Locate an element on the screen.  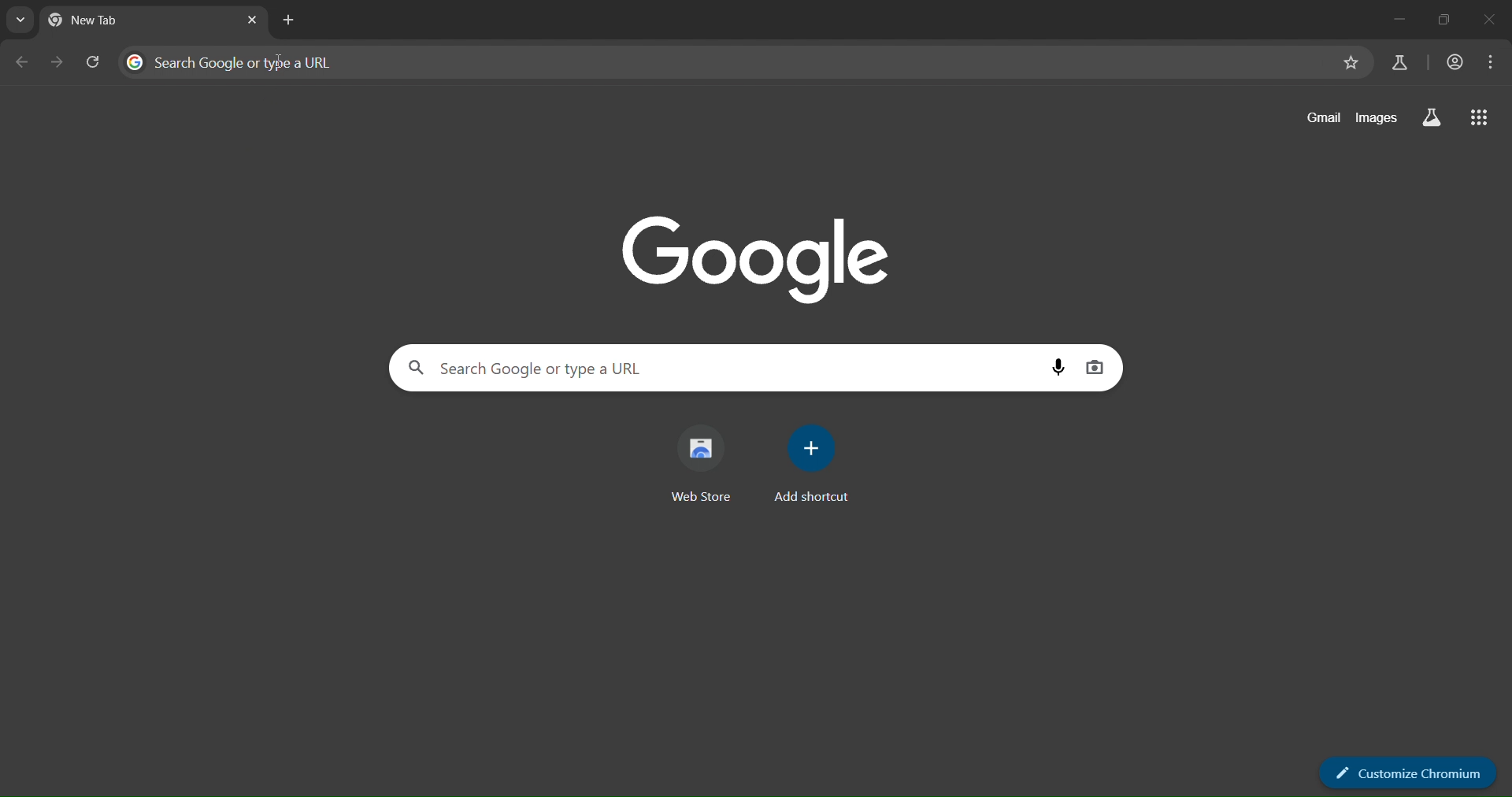
images is located at coordinates (1377, 117).